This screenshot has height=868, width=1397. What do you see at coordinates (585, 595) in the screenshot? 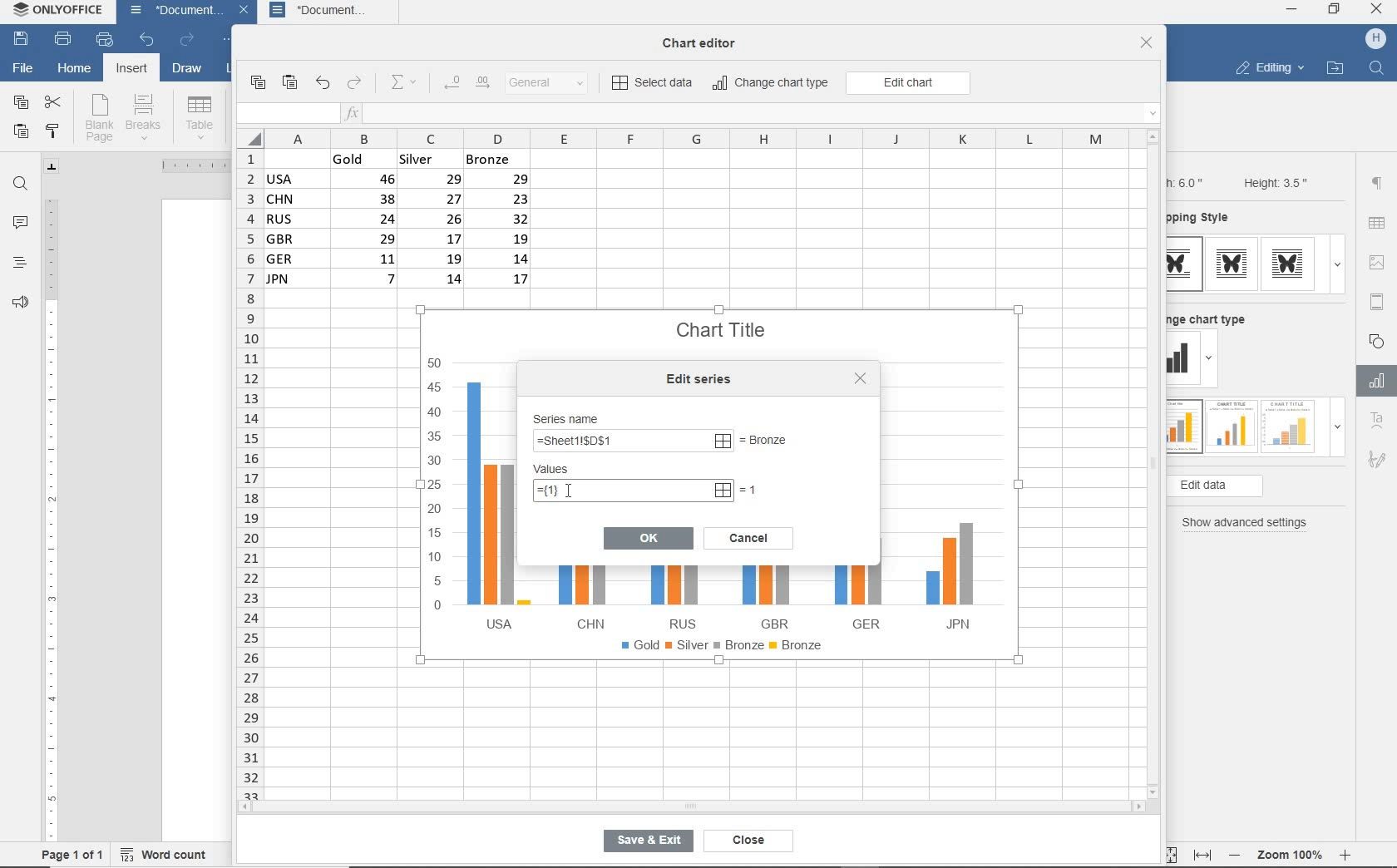
I see `CHN` at bounding box center [585, 595].